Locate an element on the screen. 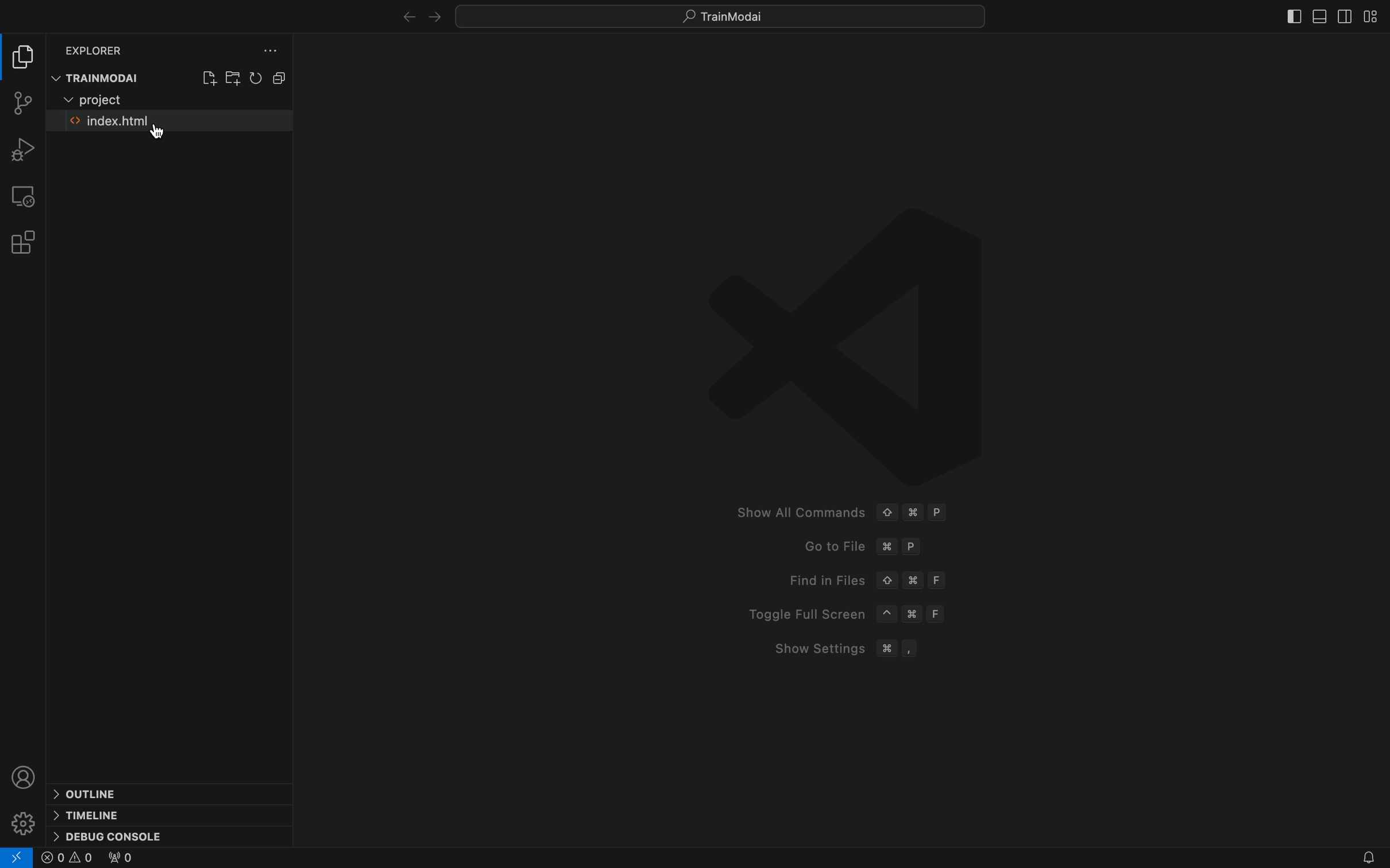 The width and height of the screenshot is (1390, 868). git is located at coordinates (21, 101).